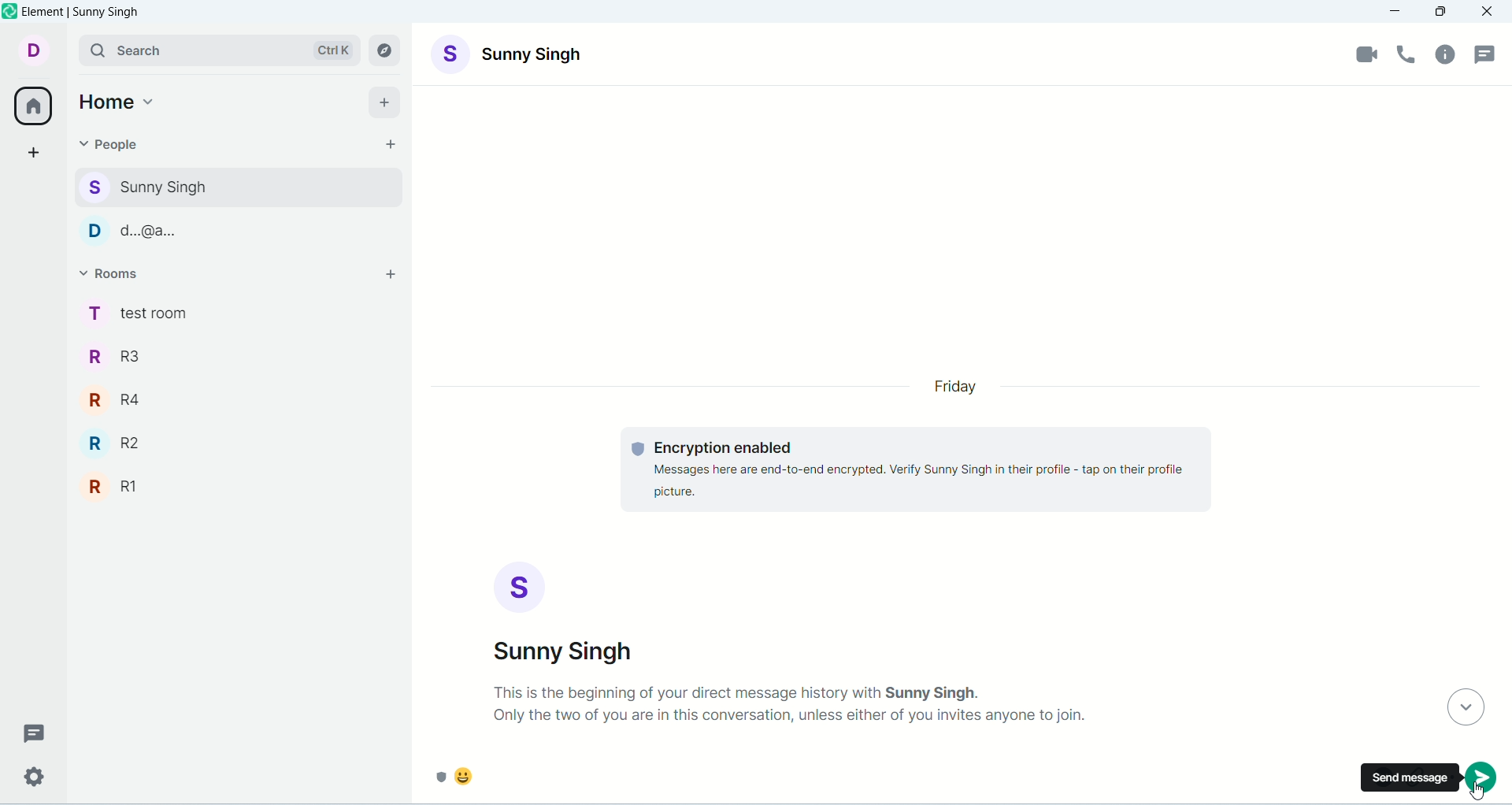 This screenshot has width=1512, height=805. I want to click on emoji added, so click(891, 781).